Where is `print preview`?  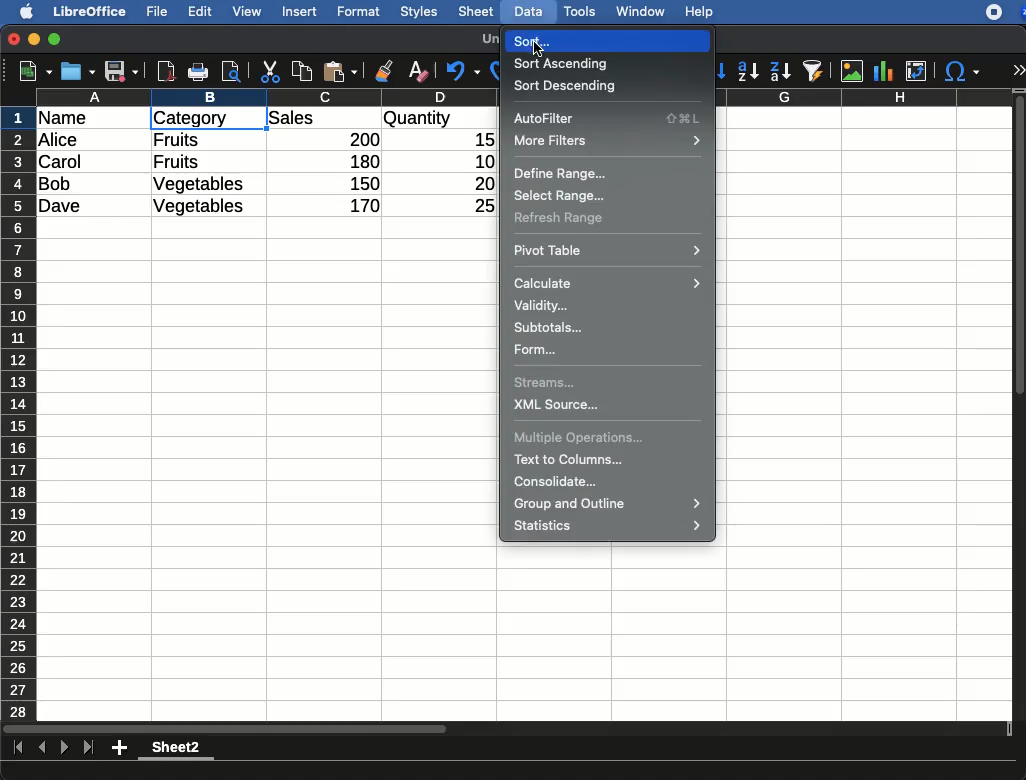 print preview is located at coordinates (231, 73).